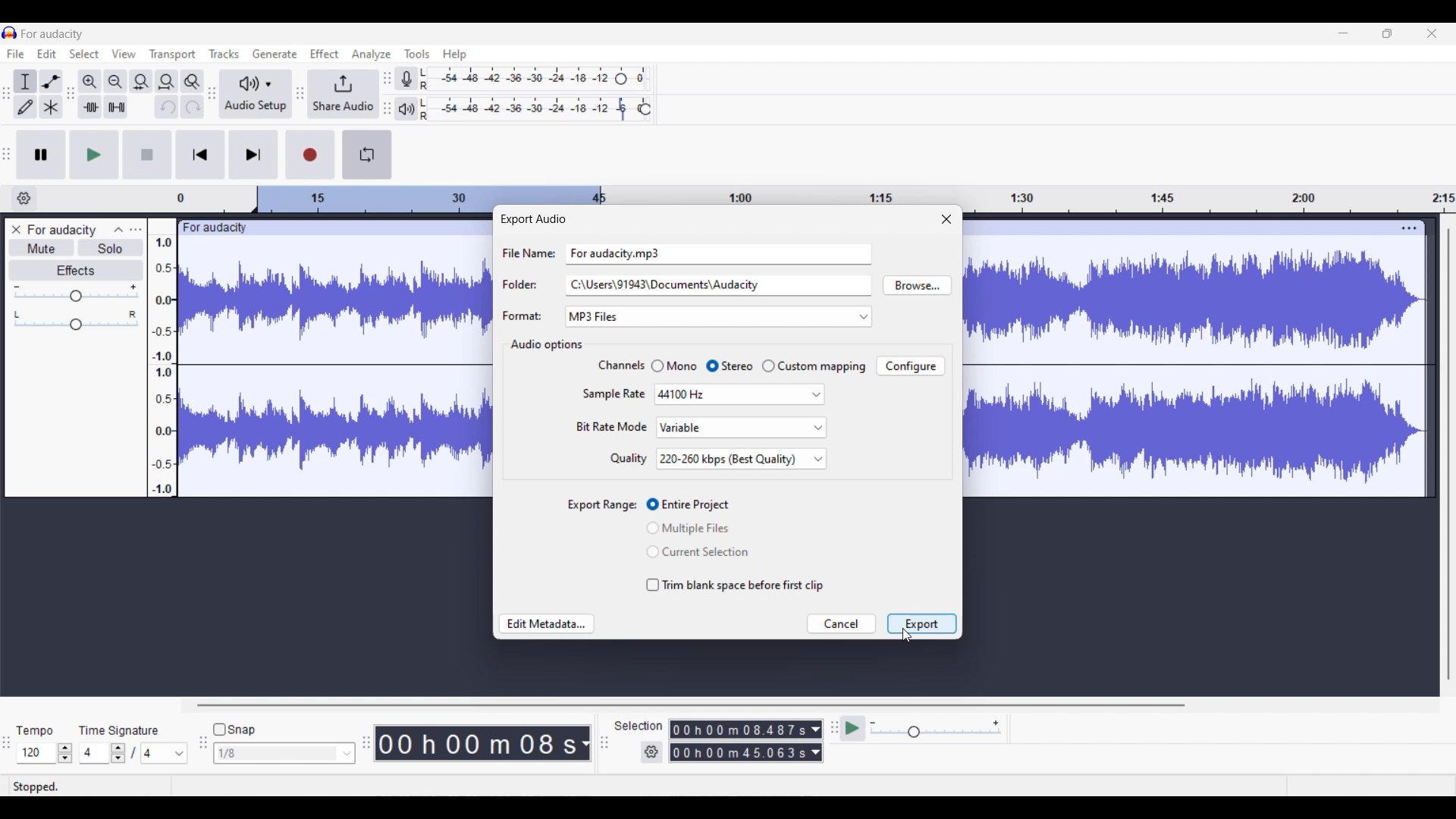 This screenshot has width=1456, height=819. I want to click on Tempo options, so click(34, 752).